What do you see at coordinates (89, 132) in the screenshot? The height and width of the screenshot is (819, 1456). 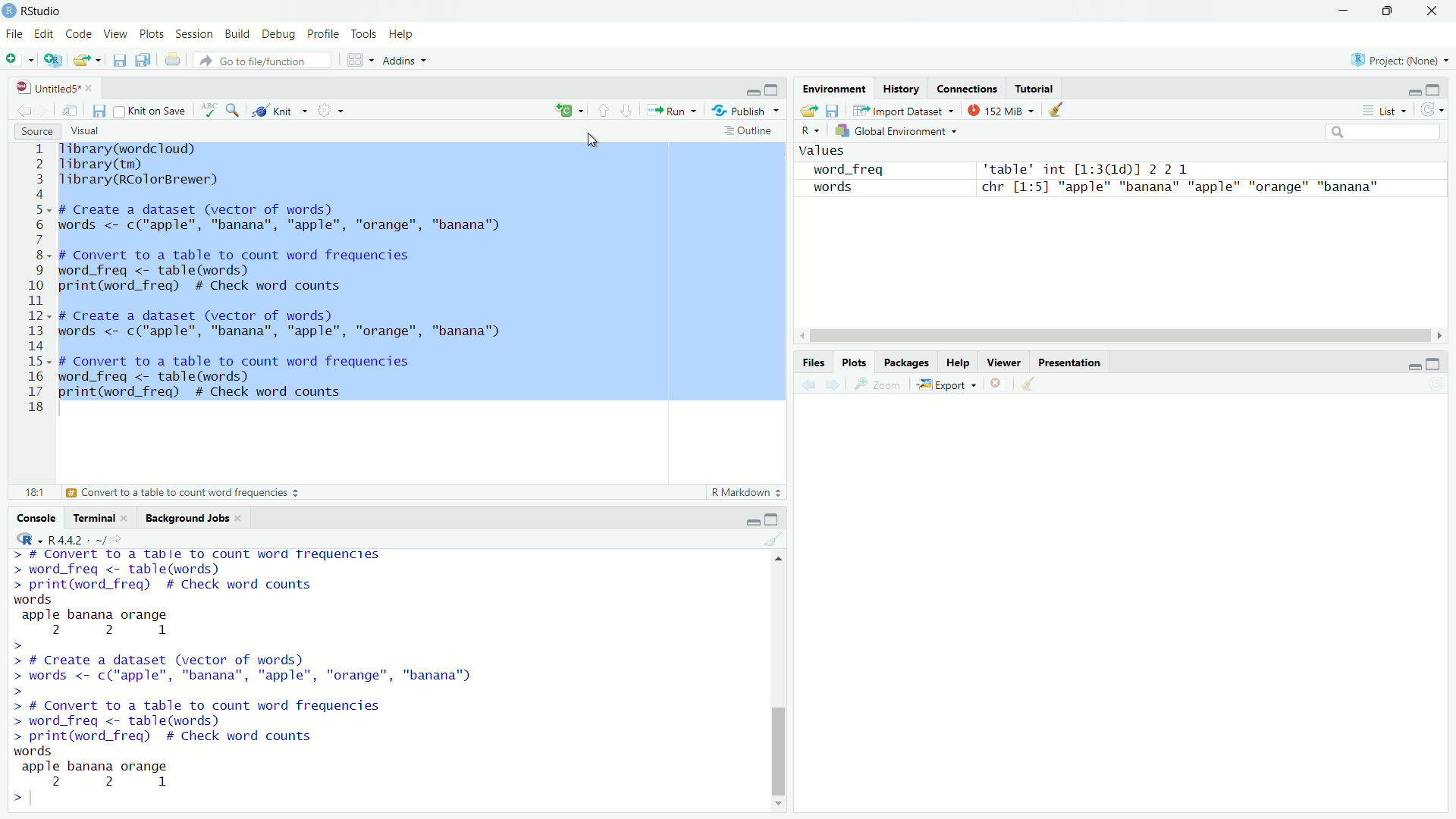 I see `Visual` at bounding box center [89, 132].